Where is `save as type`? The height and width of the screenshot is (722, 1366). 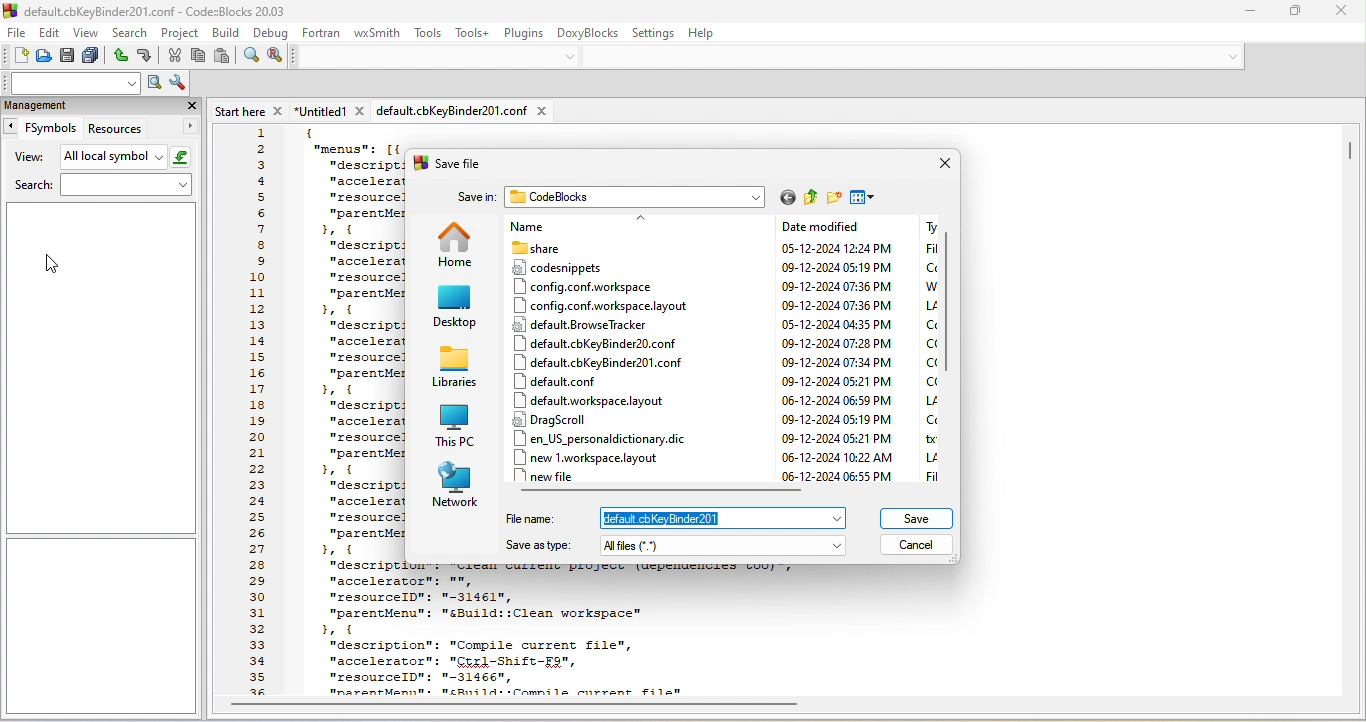
save as type is located at coordinates (728, 546).